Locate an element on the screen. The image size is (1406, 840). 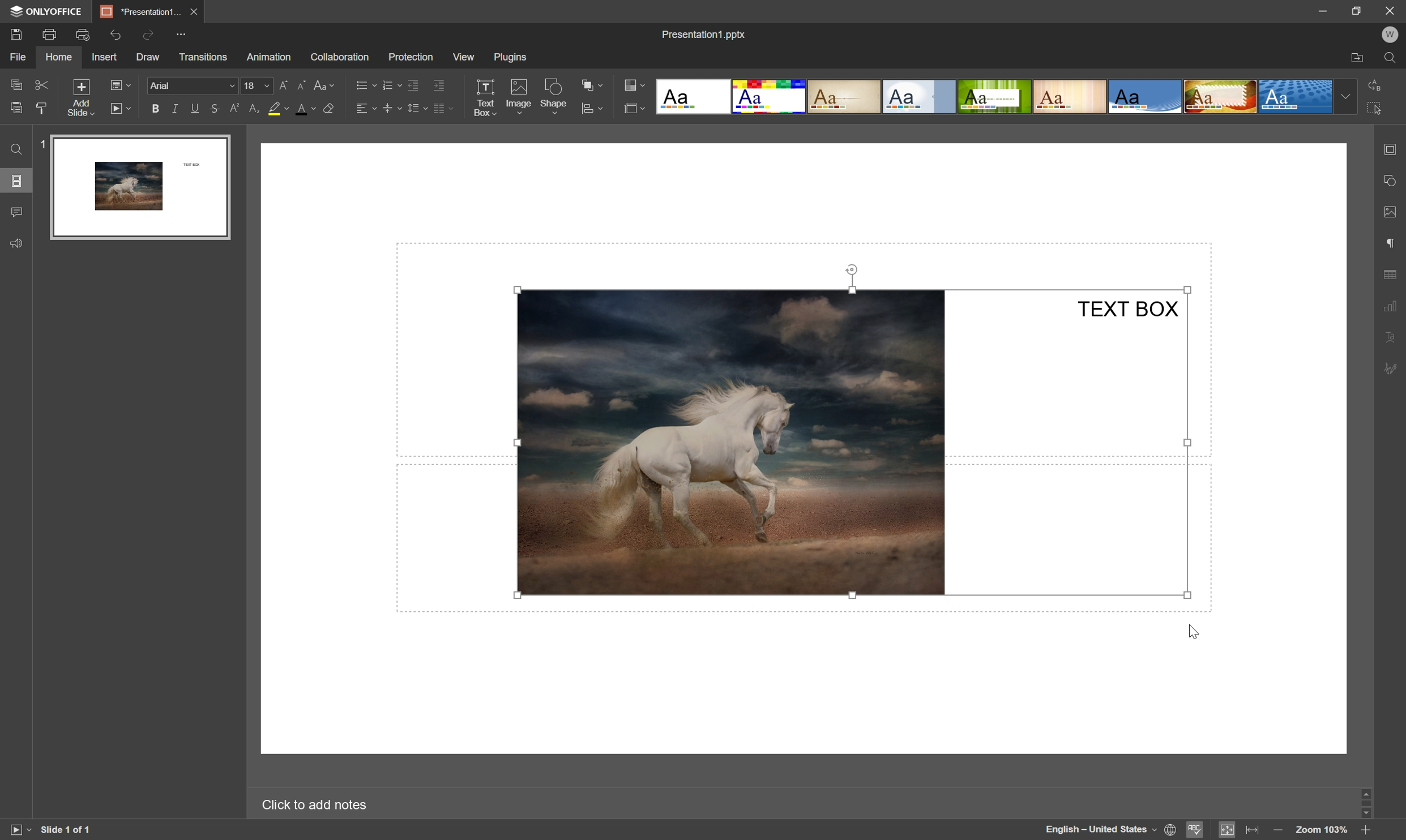
copy is located at coordinates (16, 84).